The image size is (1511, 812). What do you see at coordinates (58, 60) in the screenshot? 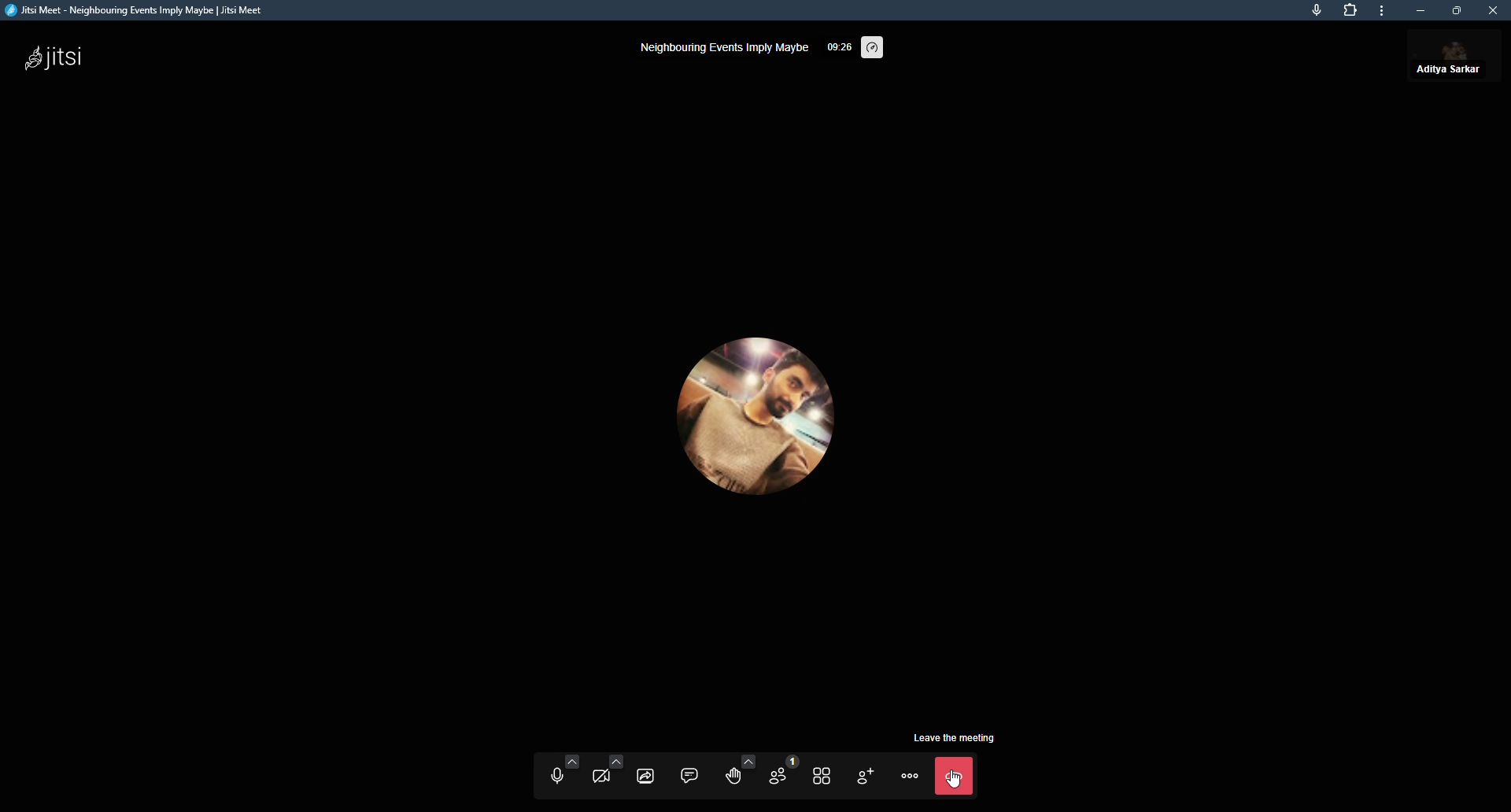
I see `jitsi` at bounding box center [58, 60].